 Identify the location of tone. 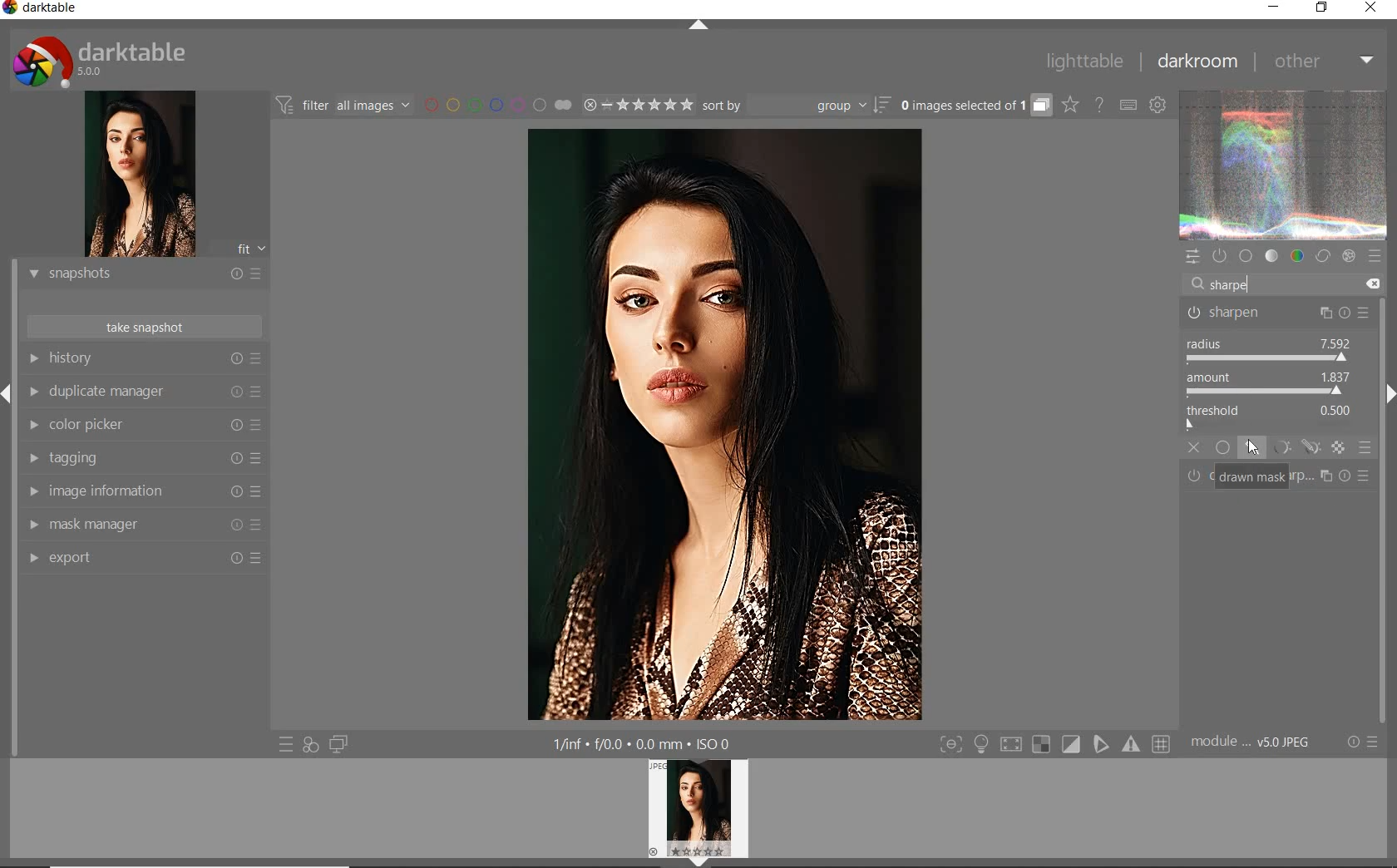
(1271, 258).